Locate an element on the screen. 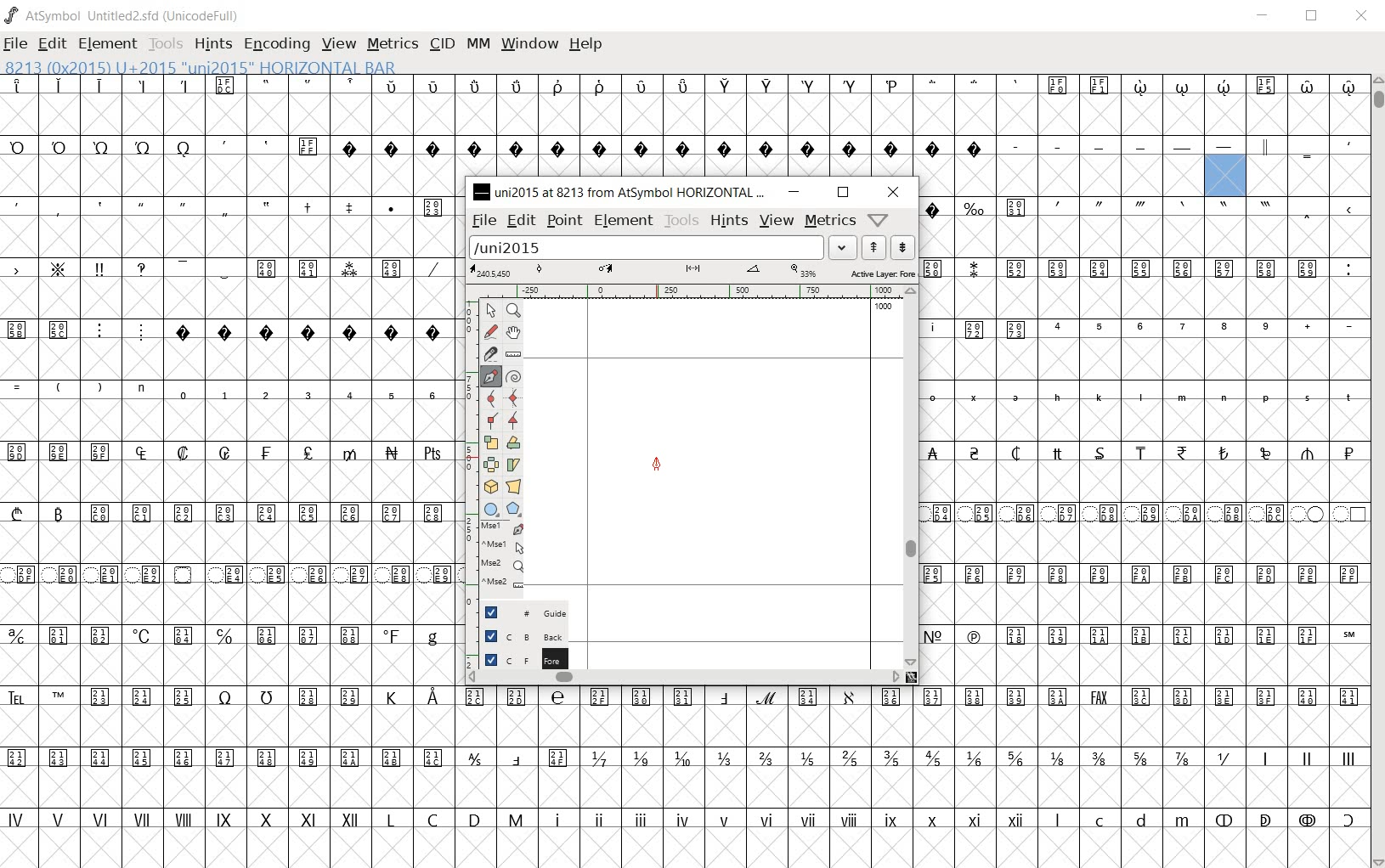 The width and height of the screenshot is (1385, 868). scrollbar is located at coordinates (914, 478).